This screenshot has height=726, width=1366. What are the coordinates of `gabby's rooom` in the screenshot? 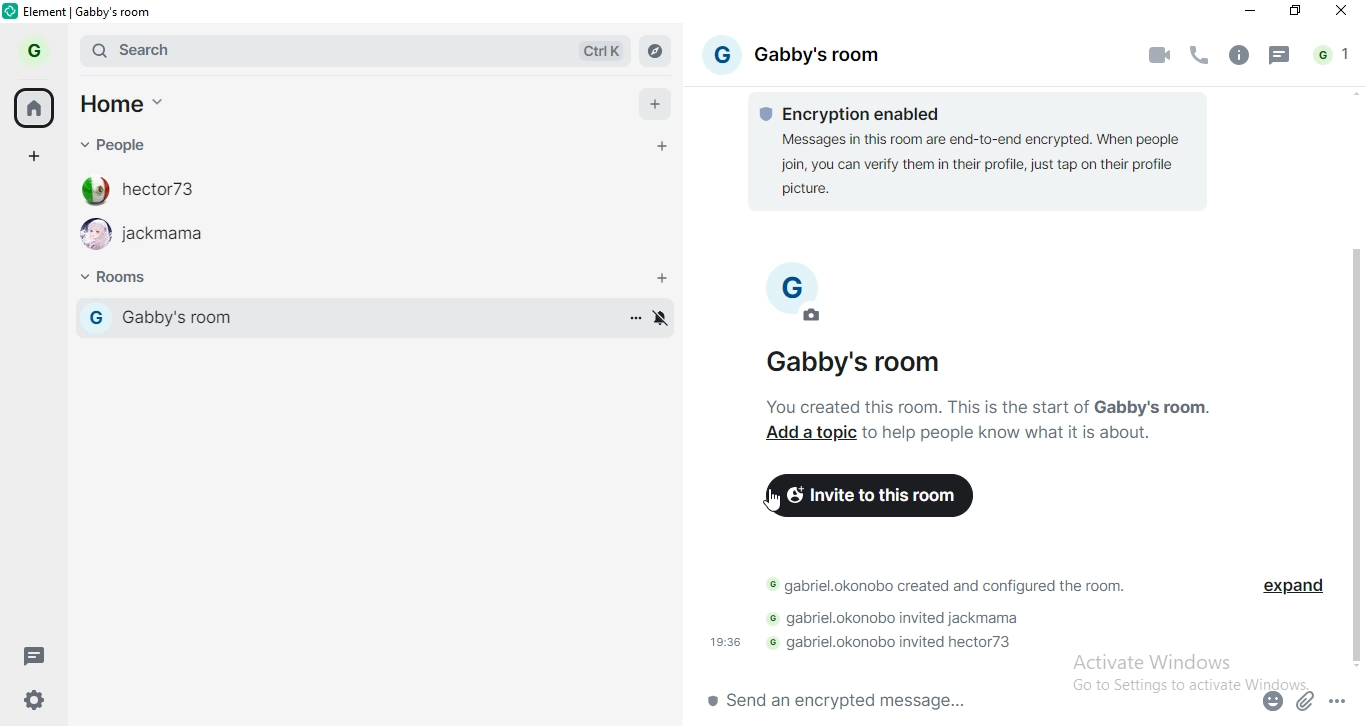 It's located at (832, 56).